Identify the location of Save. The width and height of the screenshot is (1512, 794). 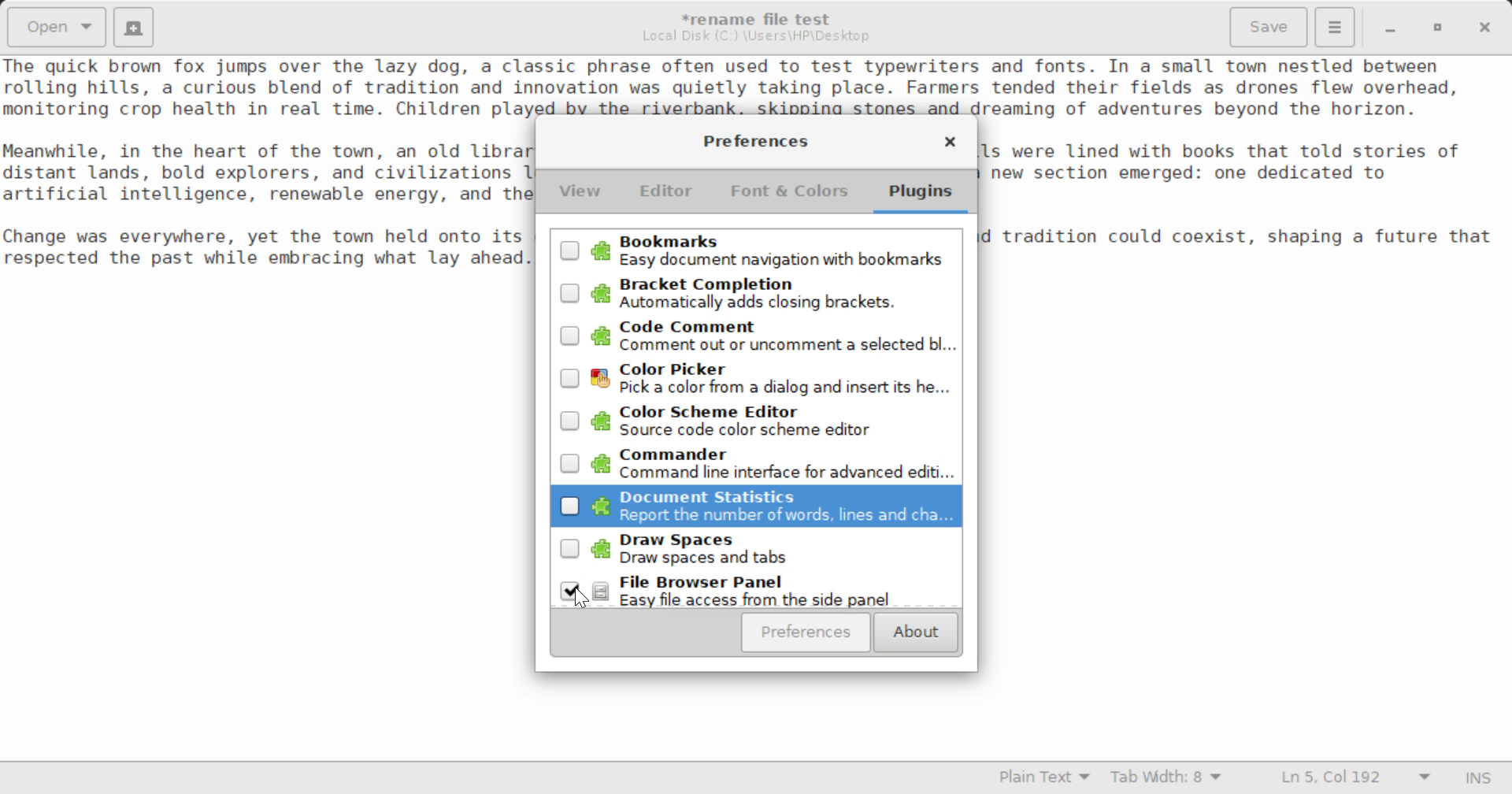
(1270, 28).